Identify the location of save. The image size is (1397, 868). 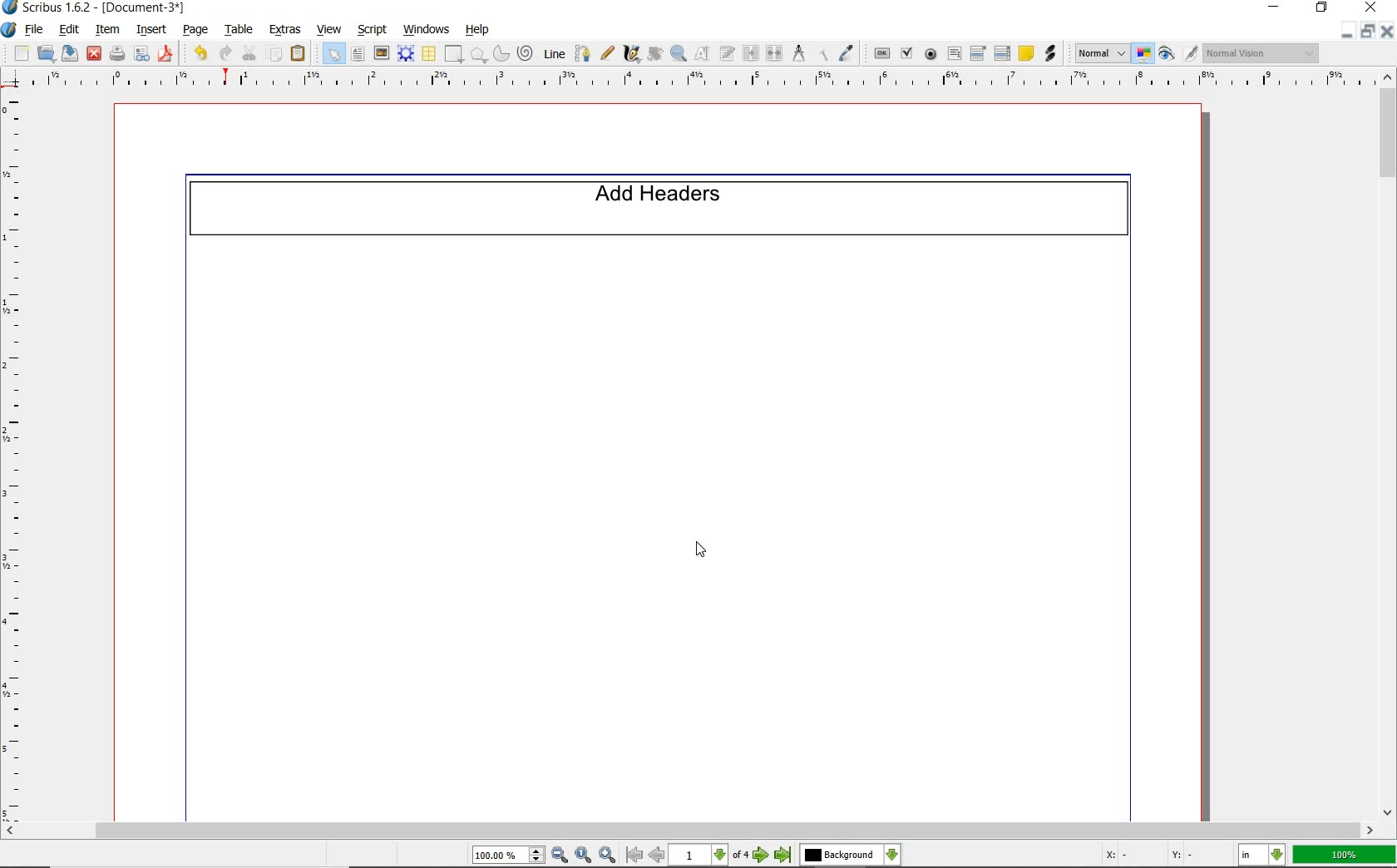
(68, 53).